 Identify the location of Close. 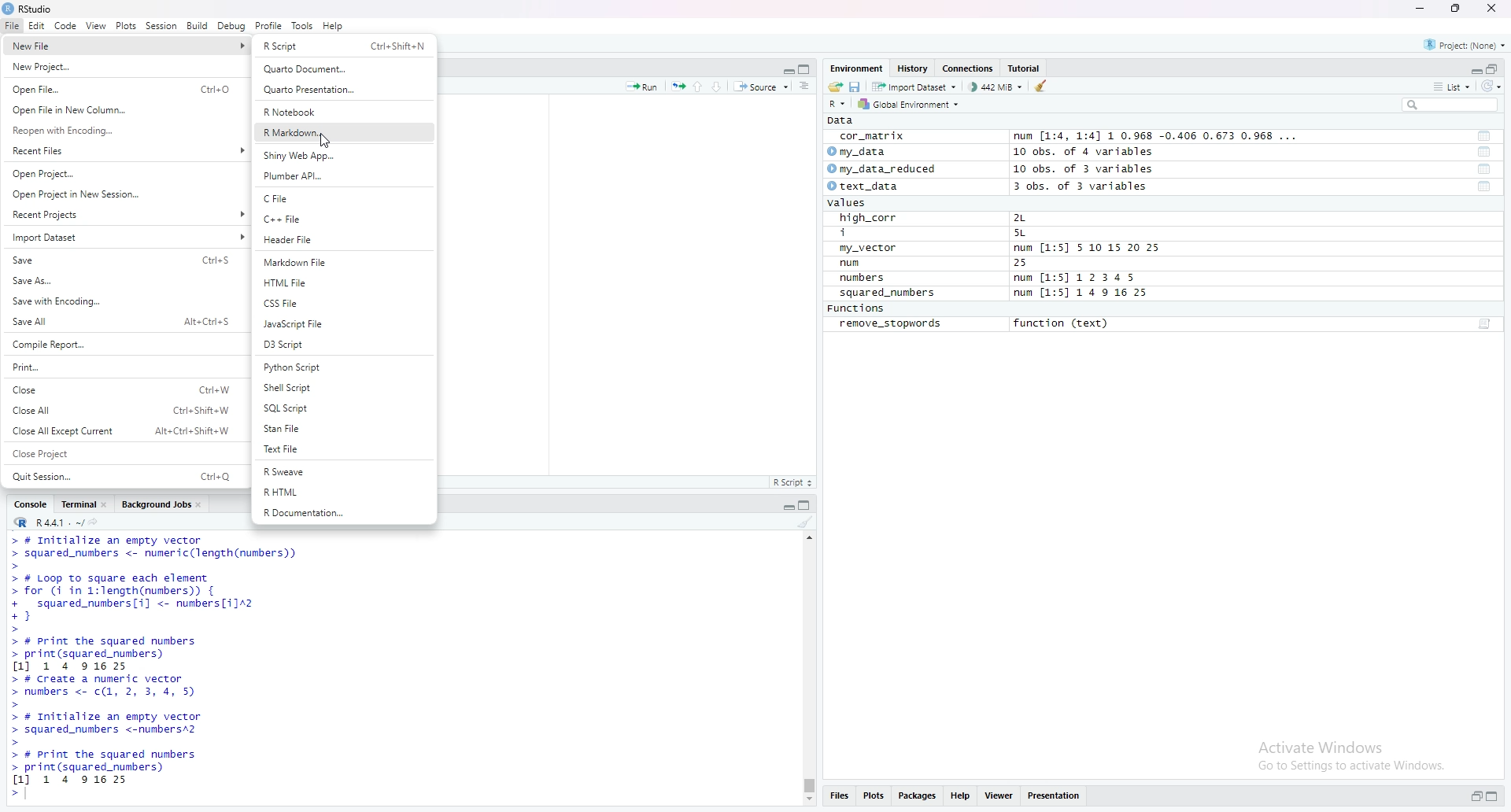
(1491, 9).